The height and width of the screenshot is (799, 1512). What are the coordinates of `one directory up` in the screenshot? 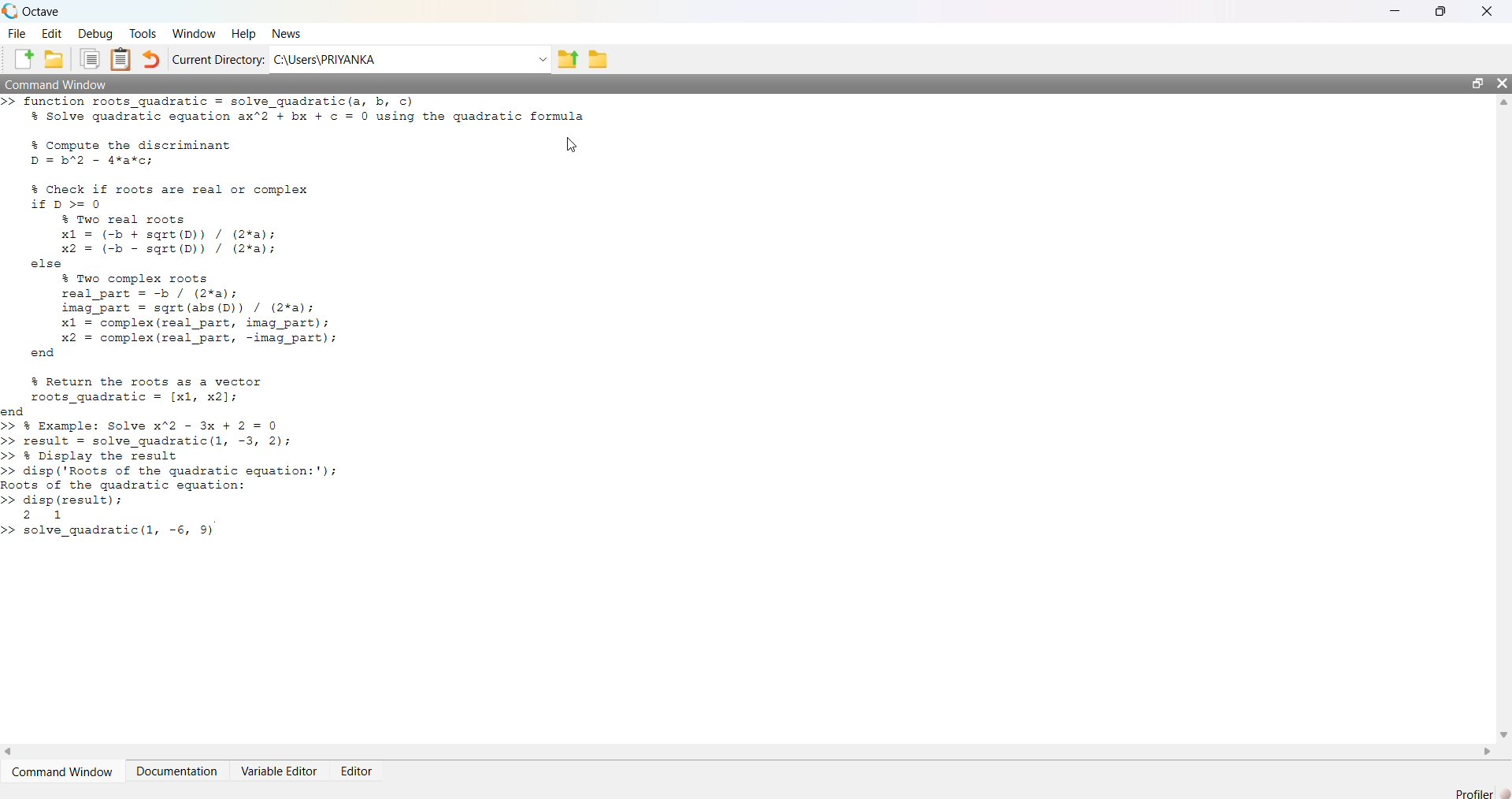 It's located at (569, 58).